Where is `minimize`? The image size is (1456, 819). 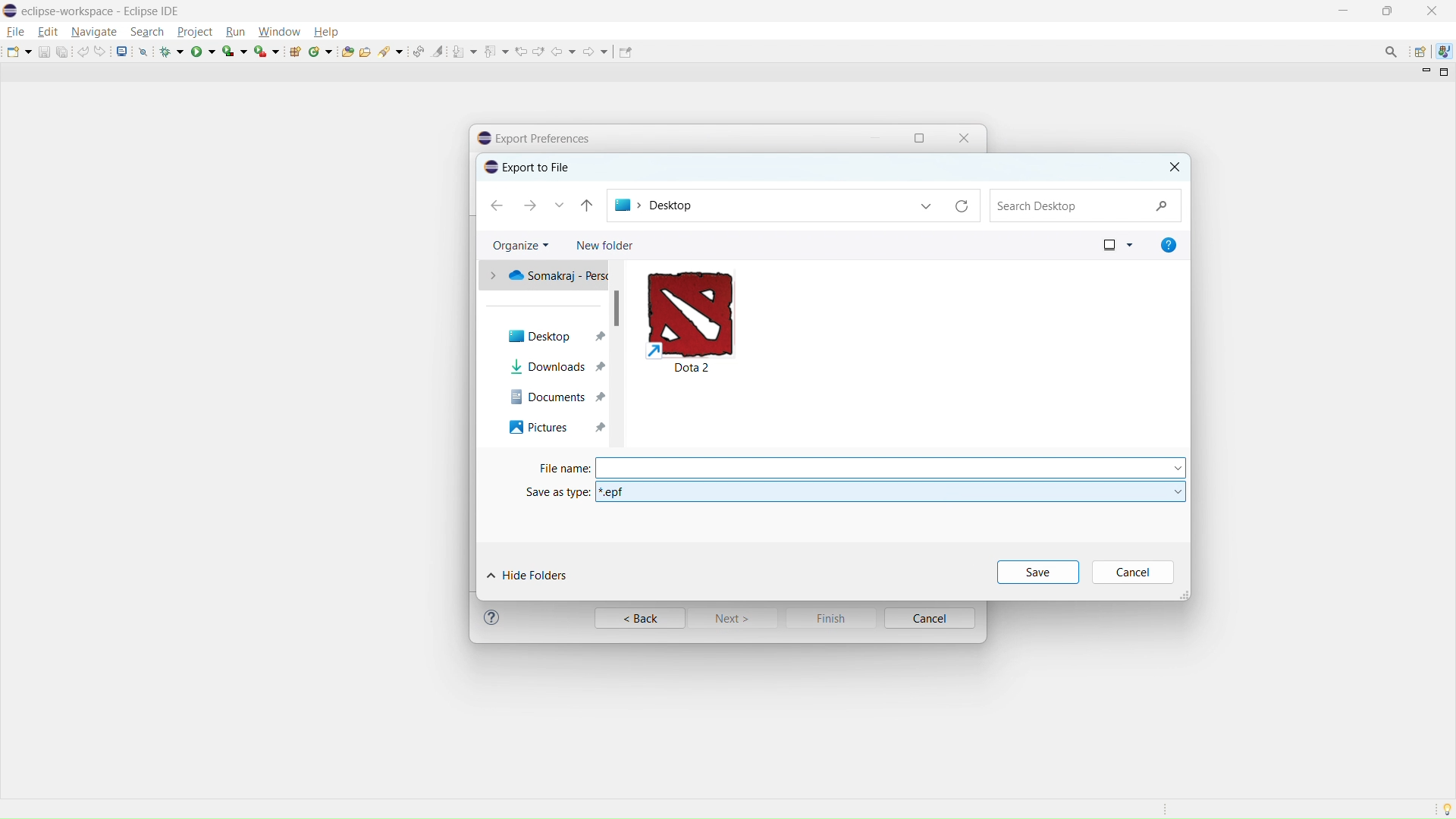 minimize is located at coordinates (875, 136).